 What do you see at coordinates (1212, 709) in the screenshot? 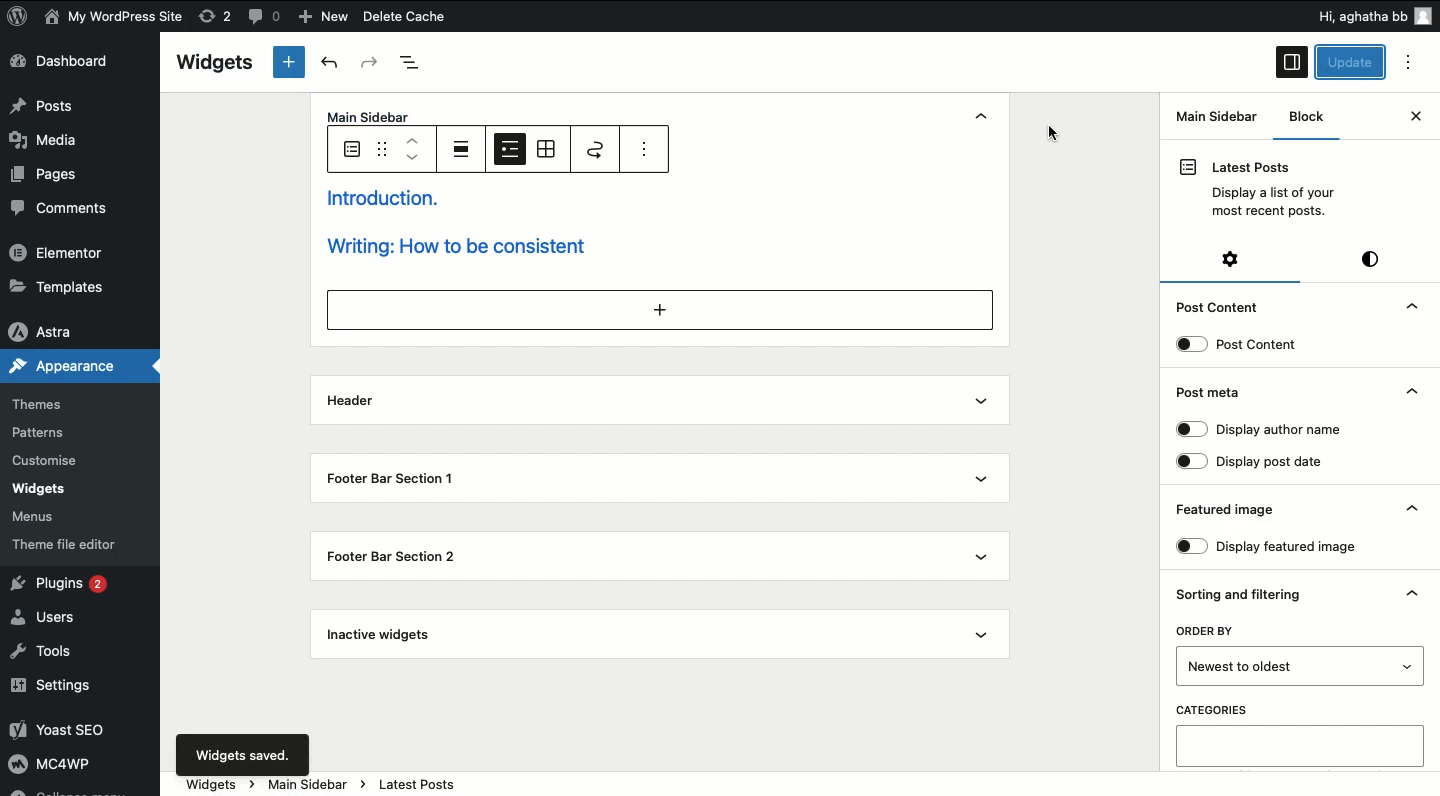
I see `CATEGORIES` at bounding box center [1212, 709].